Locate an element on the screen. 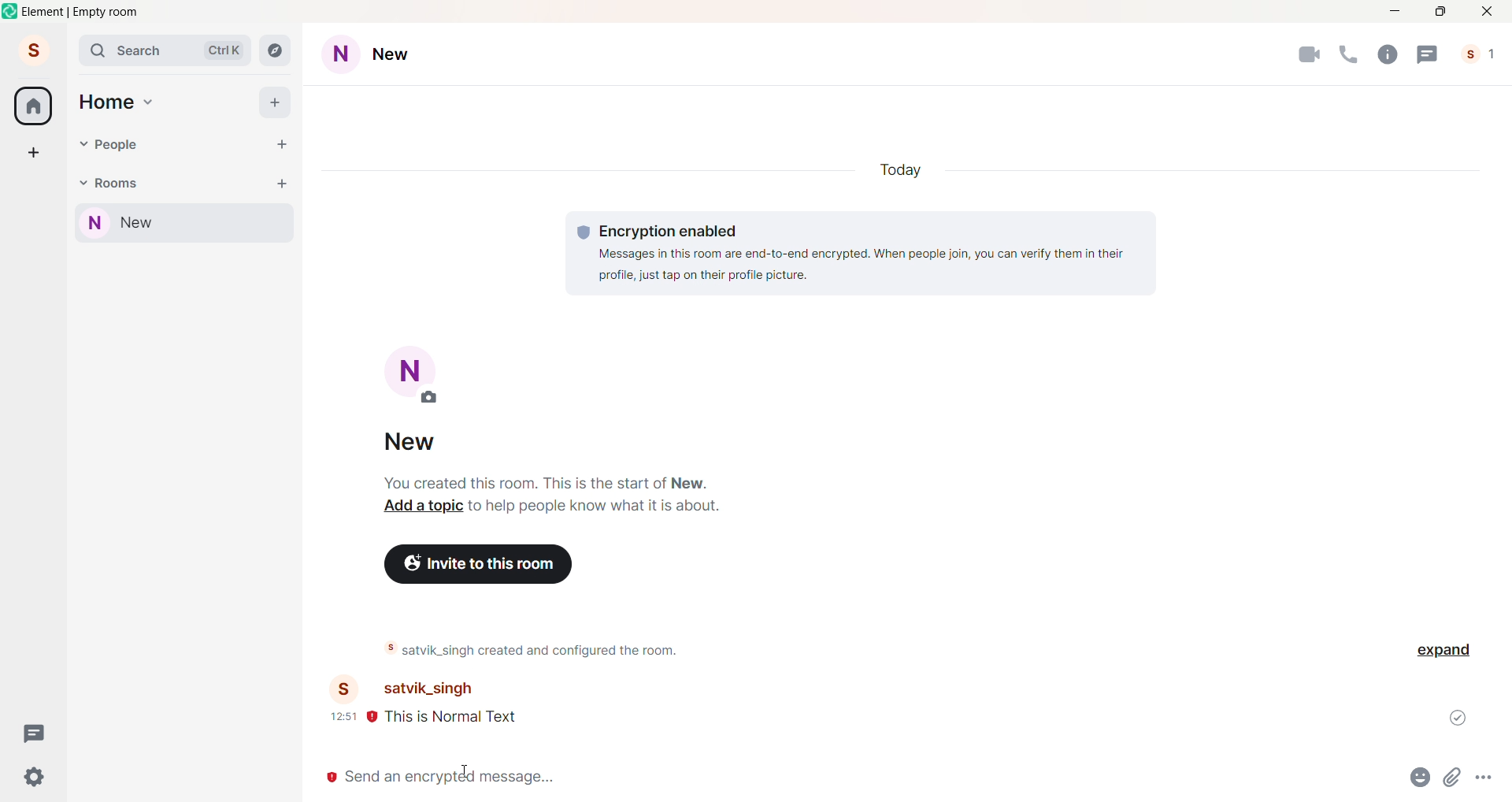 This screenshot has width=1512, height=802. Maximize is located at coordinates (1440, 12).